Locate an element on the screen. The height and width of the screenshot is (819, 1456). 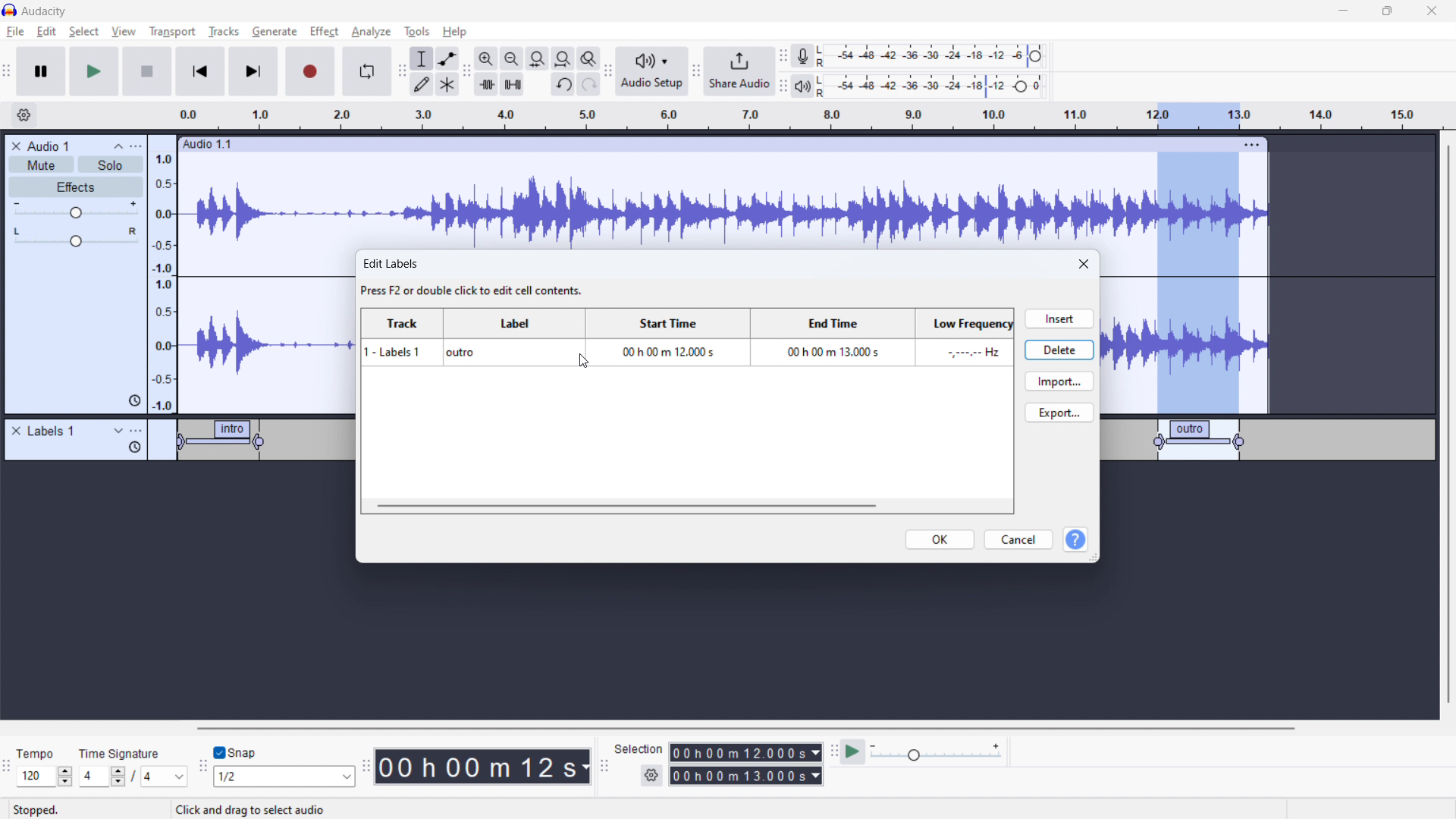
timestamp is located at coordinates (483, 765).